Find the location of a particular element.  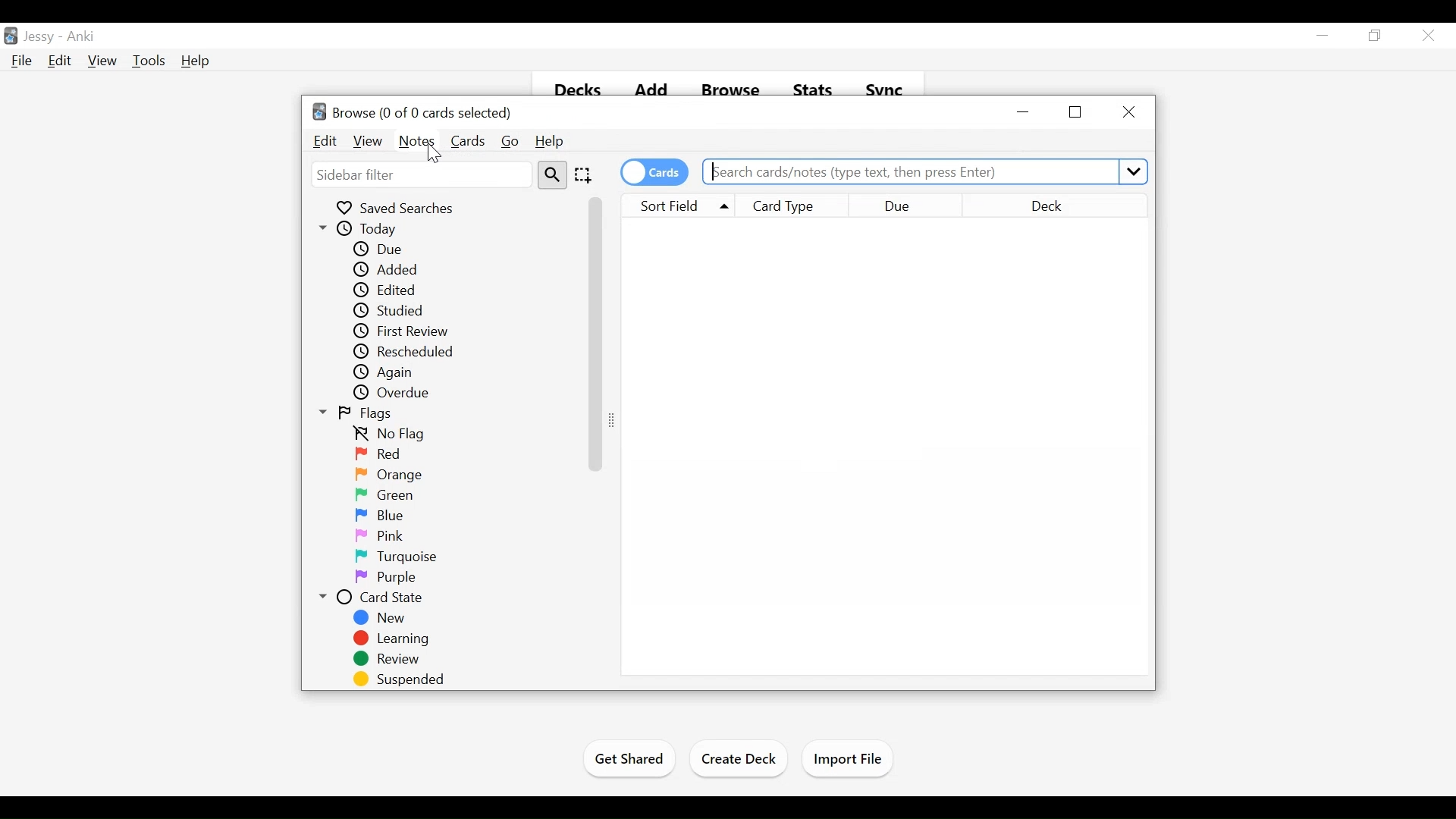

Card State is located at coordinates (377, 598).